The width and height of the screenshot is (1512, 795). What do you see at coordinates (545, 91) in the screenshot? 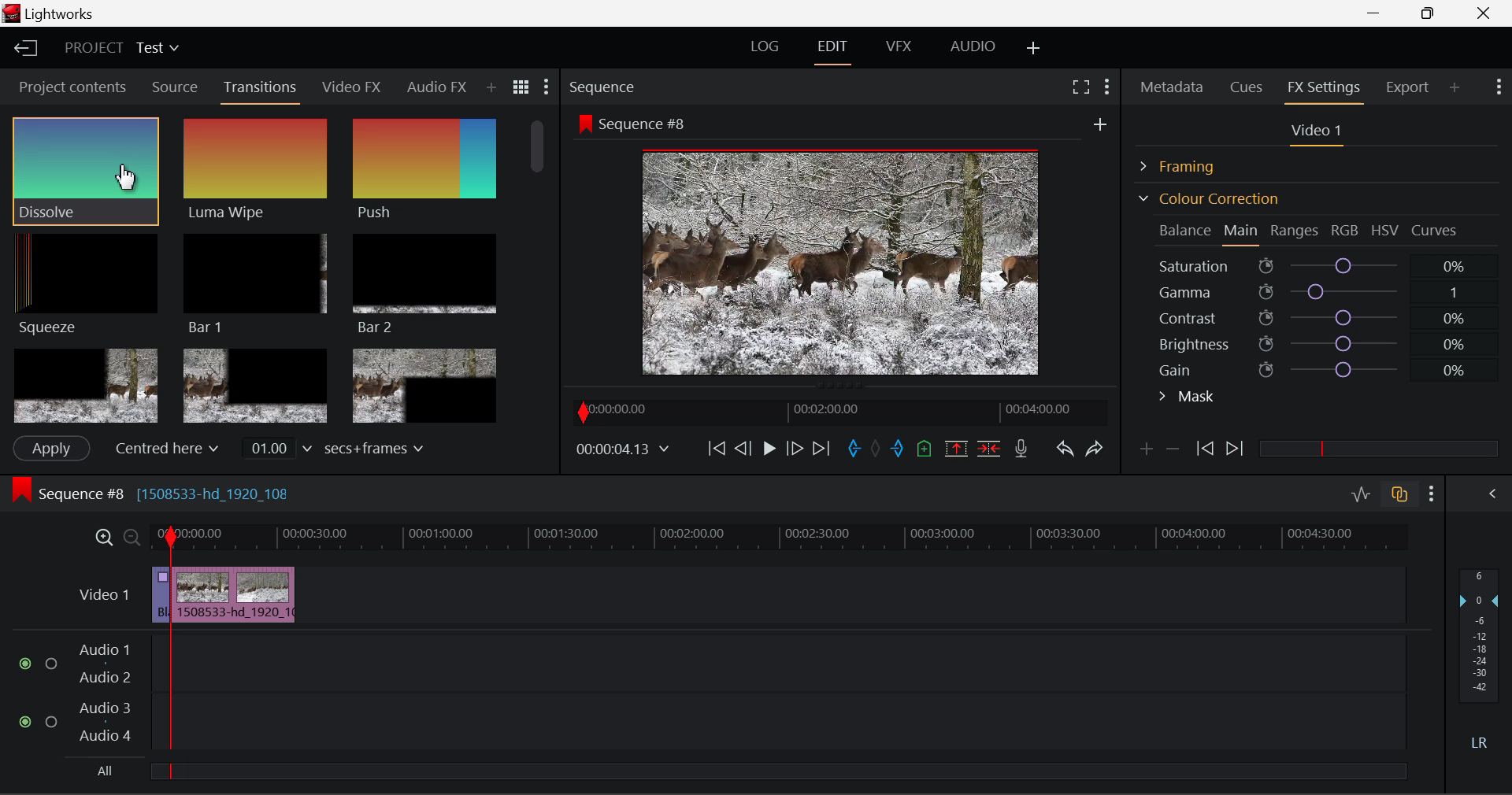
I see `Show Settings` at bounding box center [545, 91].